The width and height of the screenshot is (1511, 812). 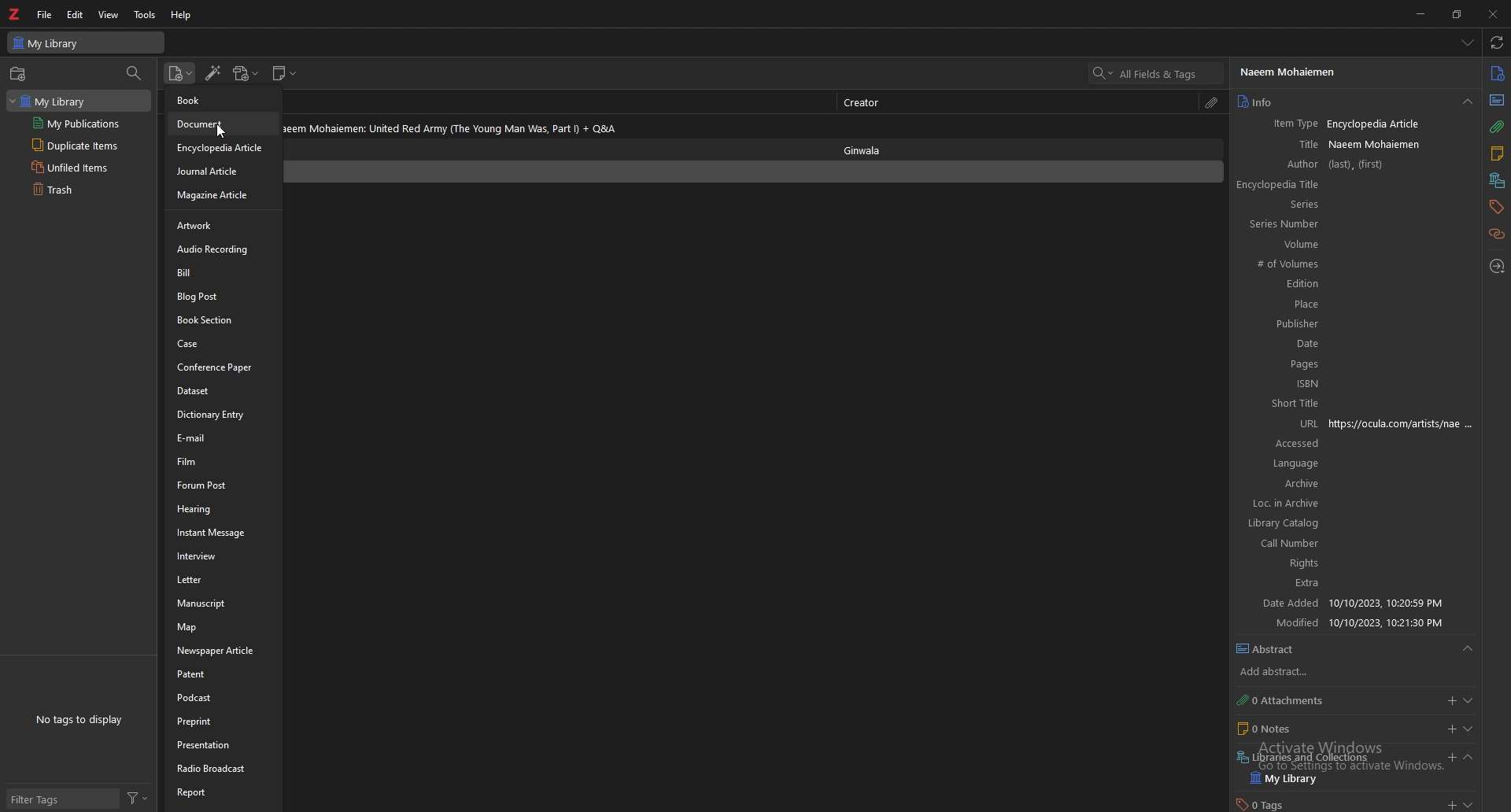 I want to click on my library, so click(x=86, y=42).